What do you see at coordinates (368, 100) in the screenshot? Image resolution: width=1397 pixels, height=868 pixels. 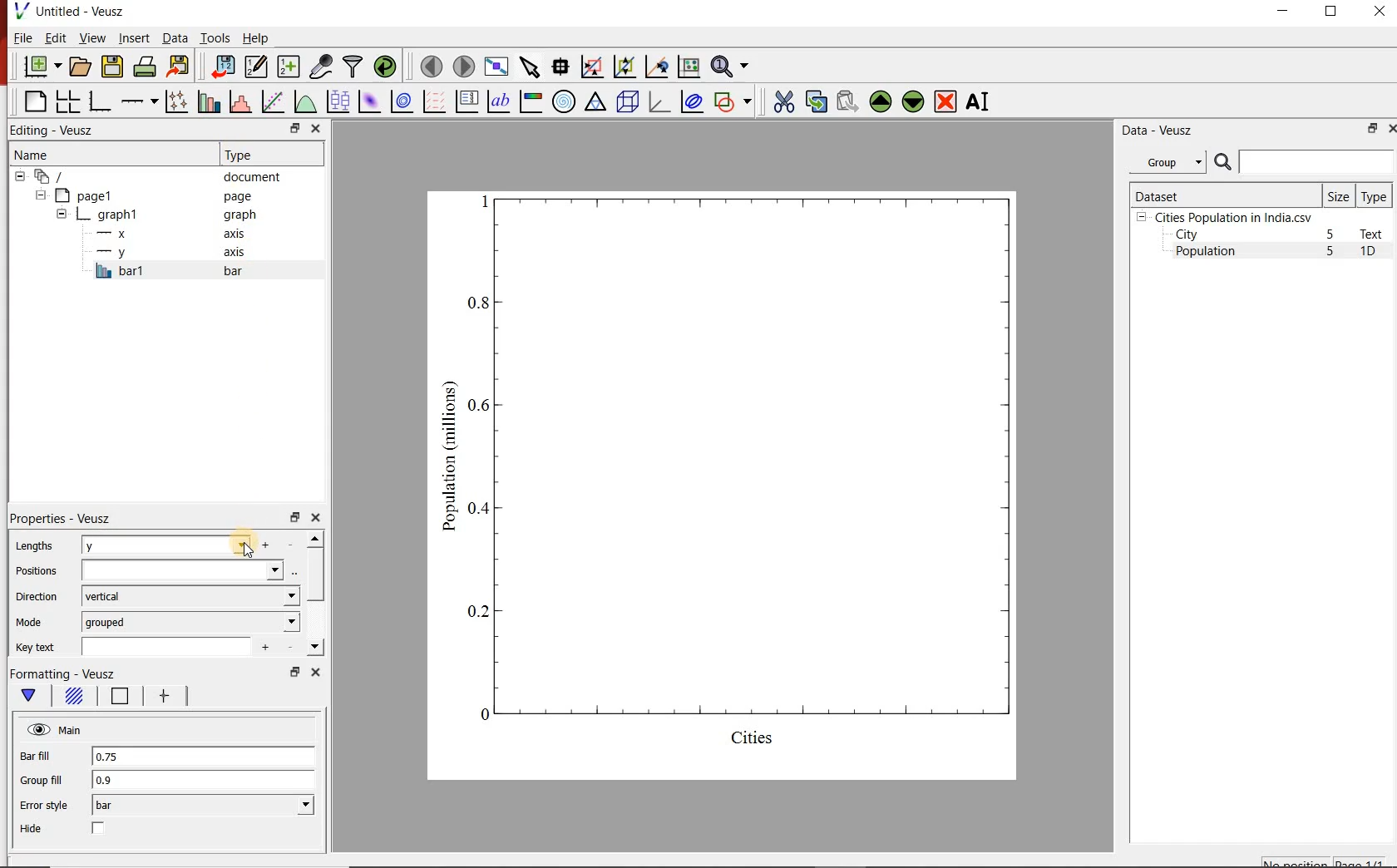 I see `plot a 2d dataset as an image` at bounding box center [368, 100].